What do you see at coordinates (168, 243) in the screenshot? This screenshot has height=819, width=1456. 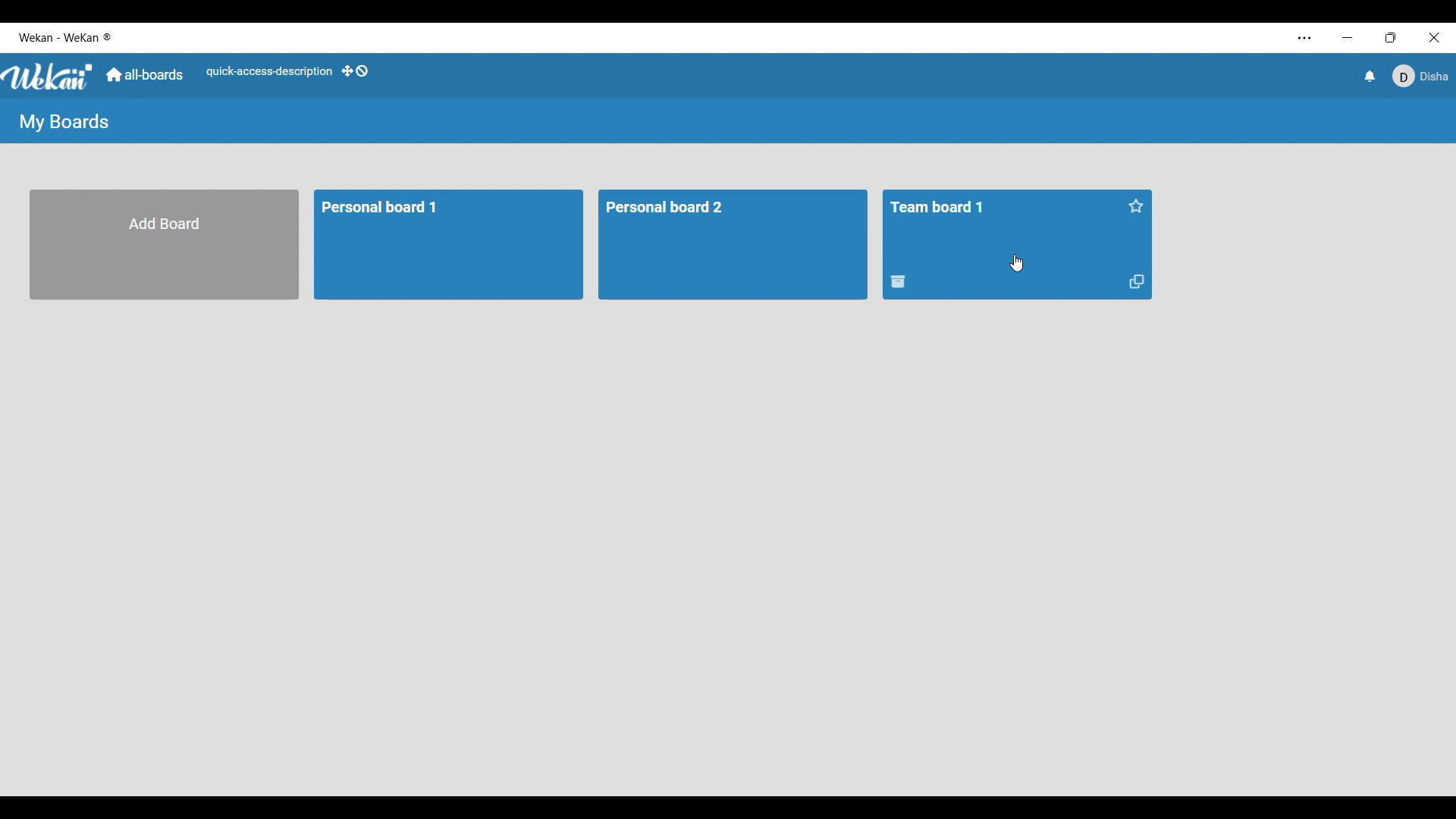 I see `Add Board` at bounding box center [168, 243].